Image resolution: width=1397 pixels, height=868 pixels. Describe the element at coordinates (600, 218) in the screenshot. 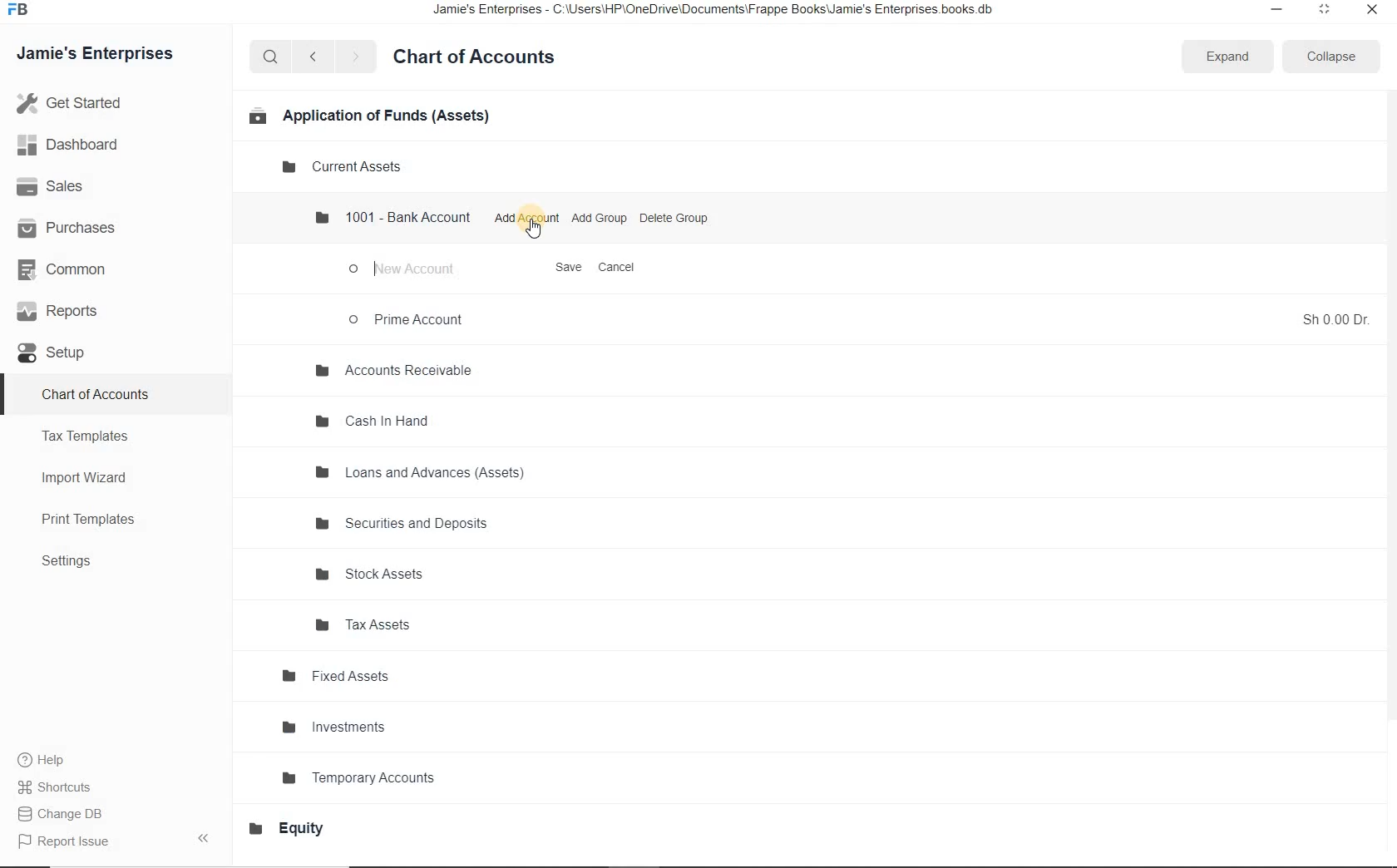

I see `Add Group` at that location.